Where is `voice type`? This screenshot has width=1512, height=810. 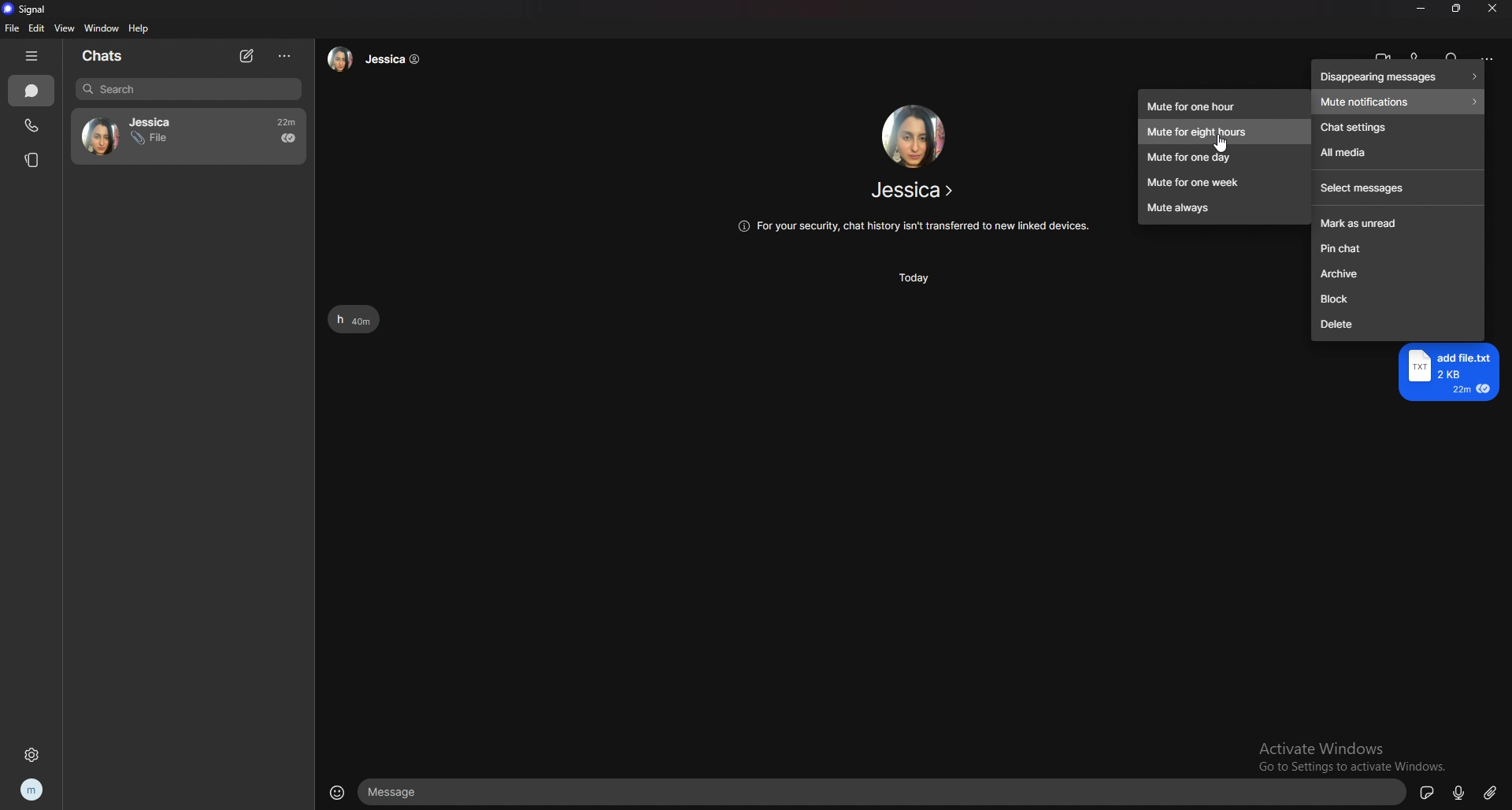 voice type is located at coordinates (1462, 791).